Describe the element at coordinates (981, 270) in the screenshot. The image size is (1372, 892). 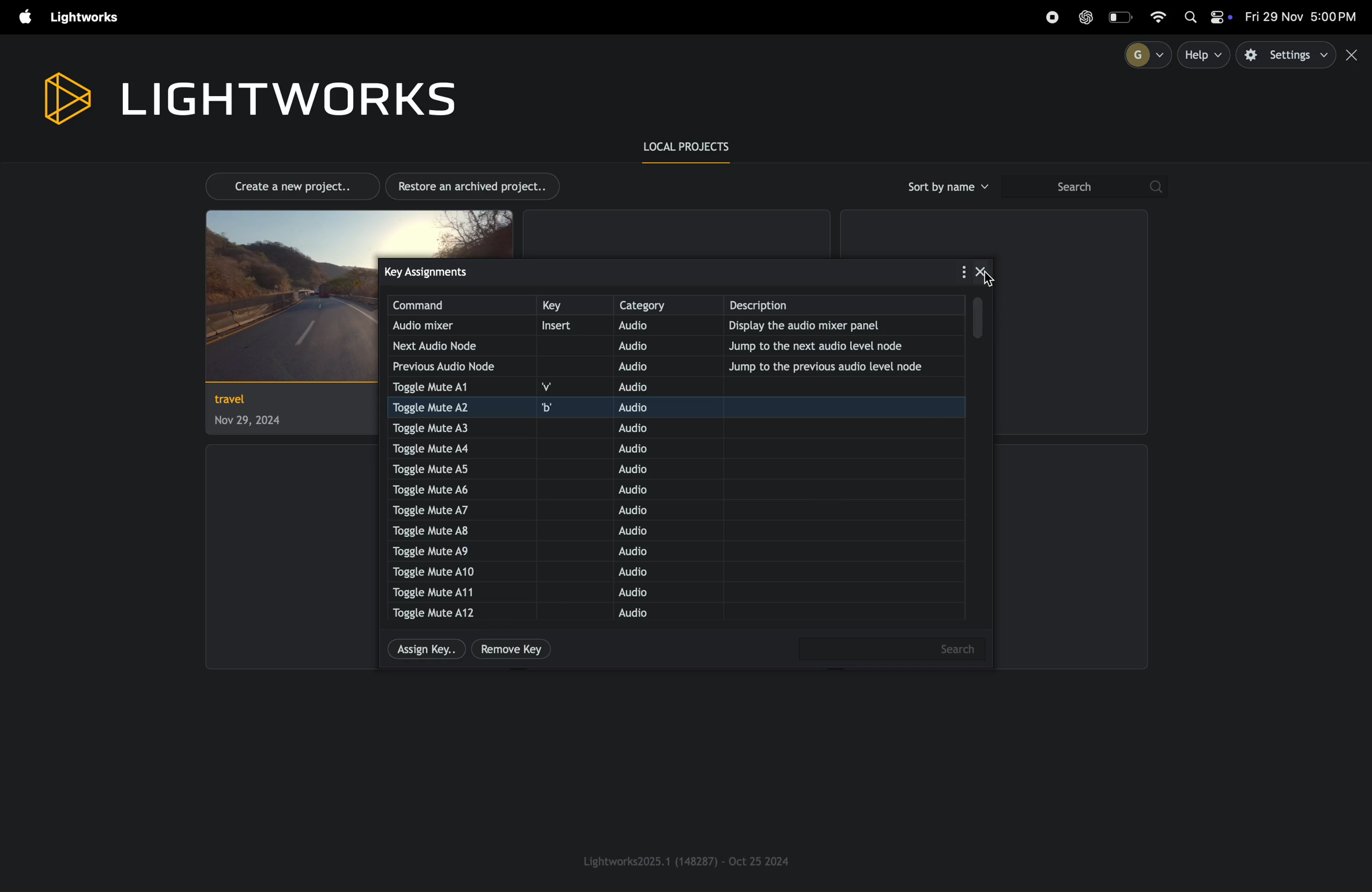
I see `close` at that location.